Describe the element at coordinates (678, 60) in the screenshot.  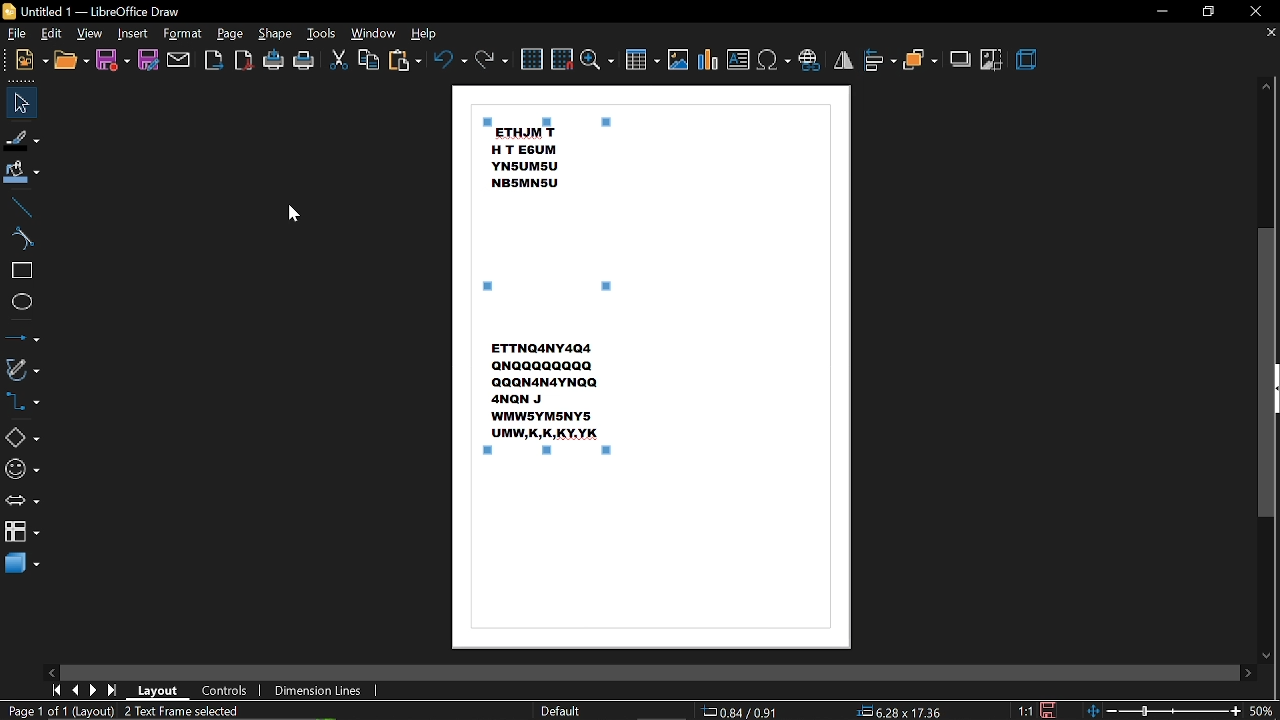
I see `insert image` at that location.